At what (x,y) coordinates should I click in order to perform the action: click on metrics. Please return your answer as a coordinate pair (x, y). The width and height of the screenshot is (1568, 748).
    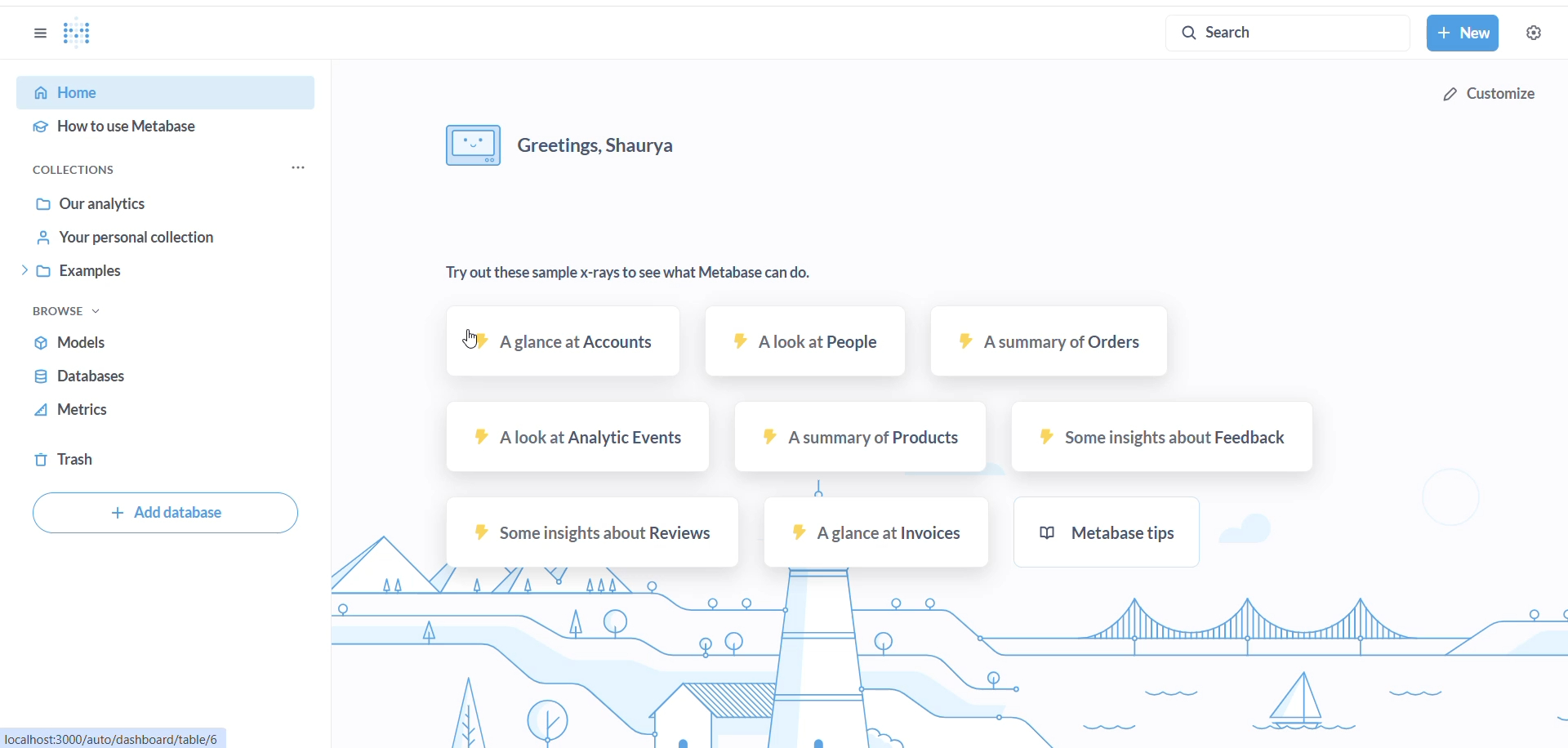
    Looking at the image, I should click on (130, 412).